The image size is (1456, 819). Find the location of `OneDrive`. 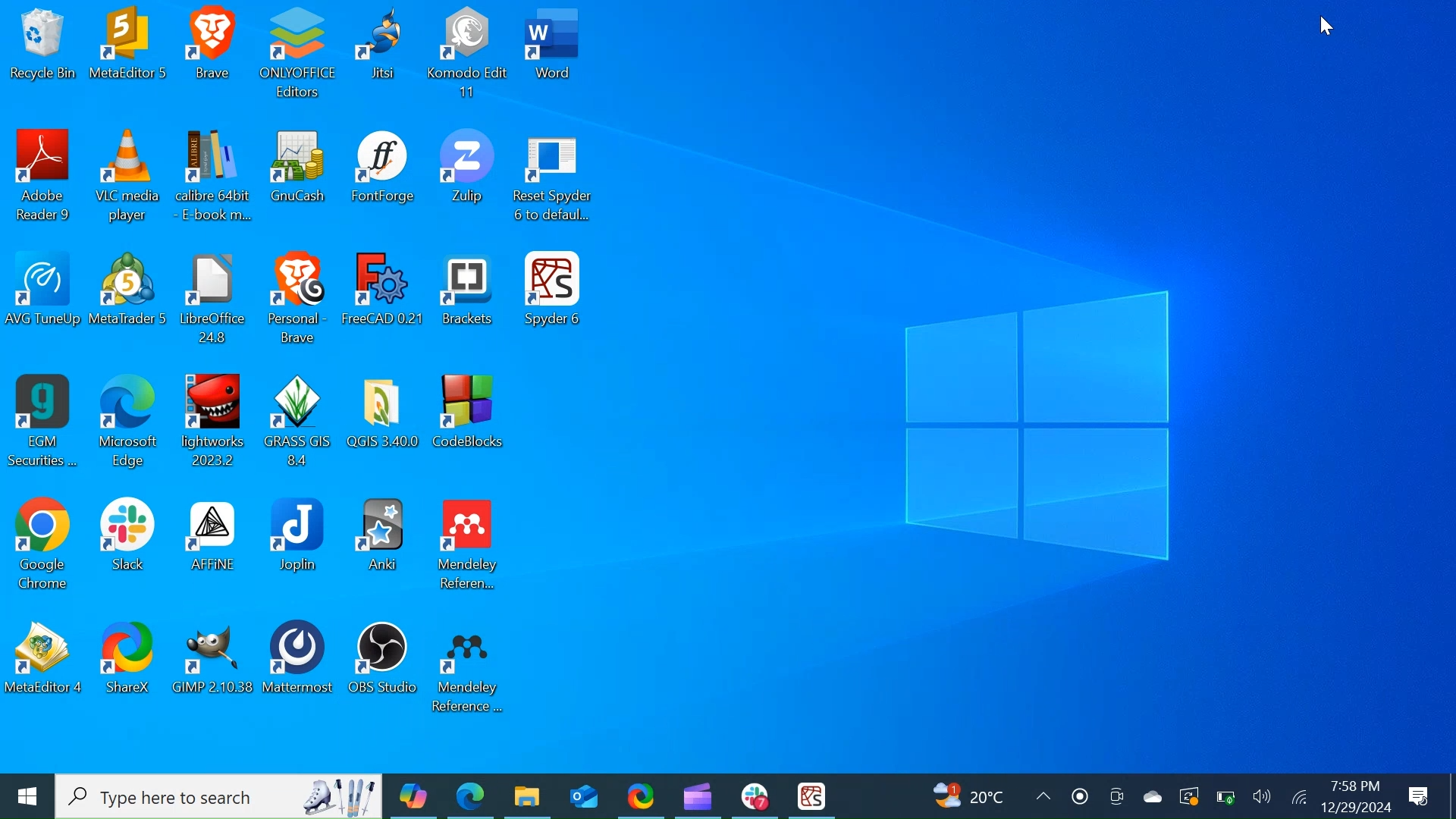

OneDrive is located at coordinates (1149, 795).